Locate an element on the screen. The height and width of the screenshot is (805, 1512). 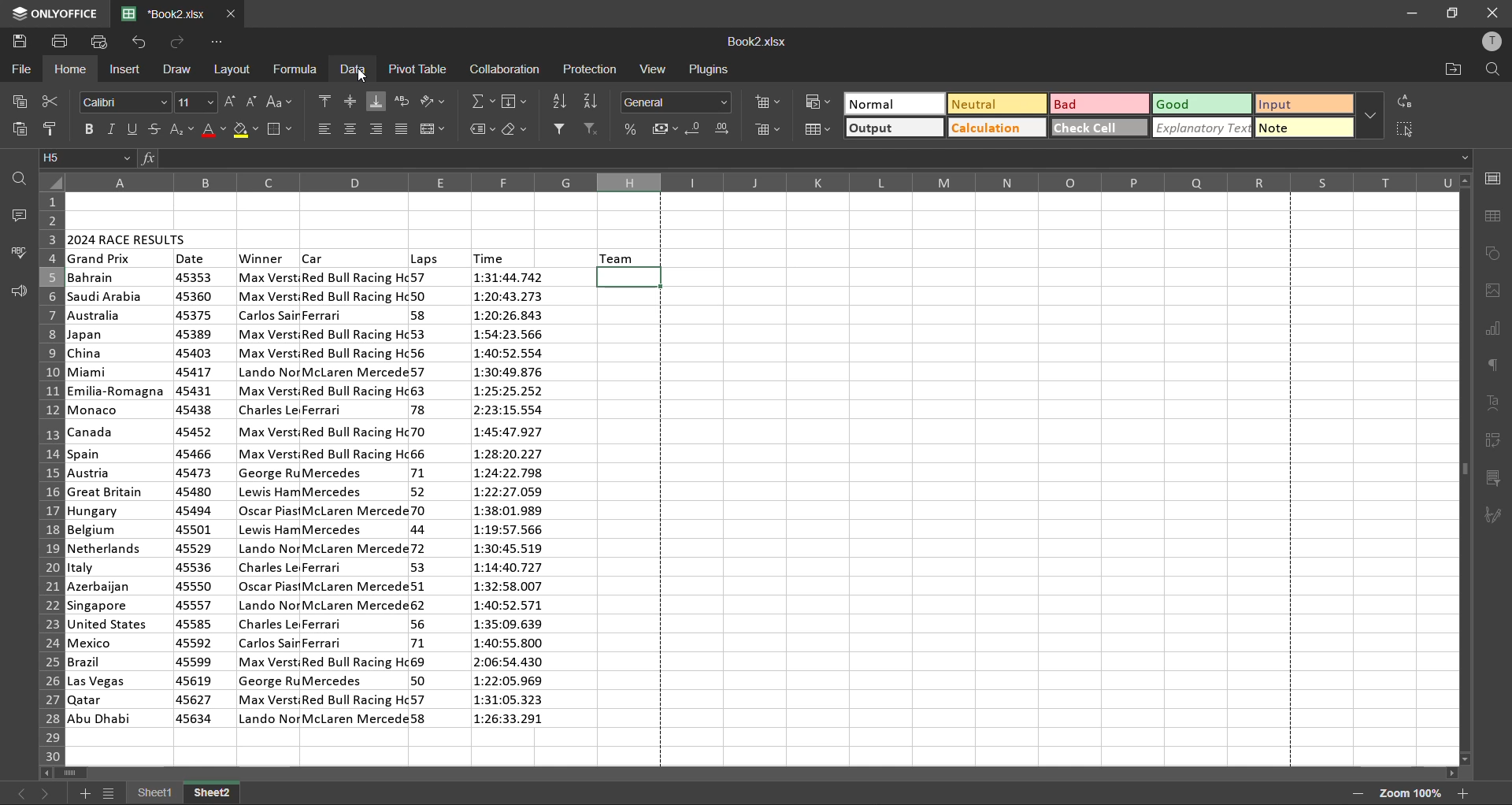
align right is located at coordinates (376, 129).